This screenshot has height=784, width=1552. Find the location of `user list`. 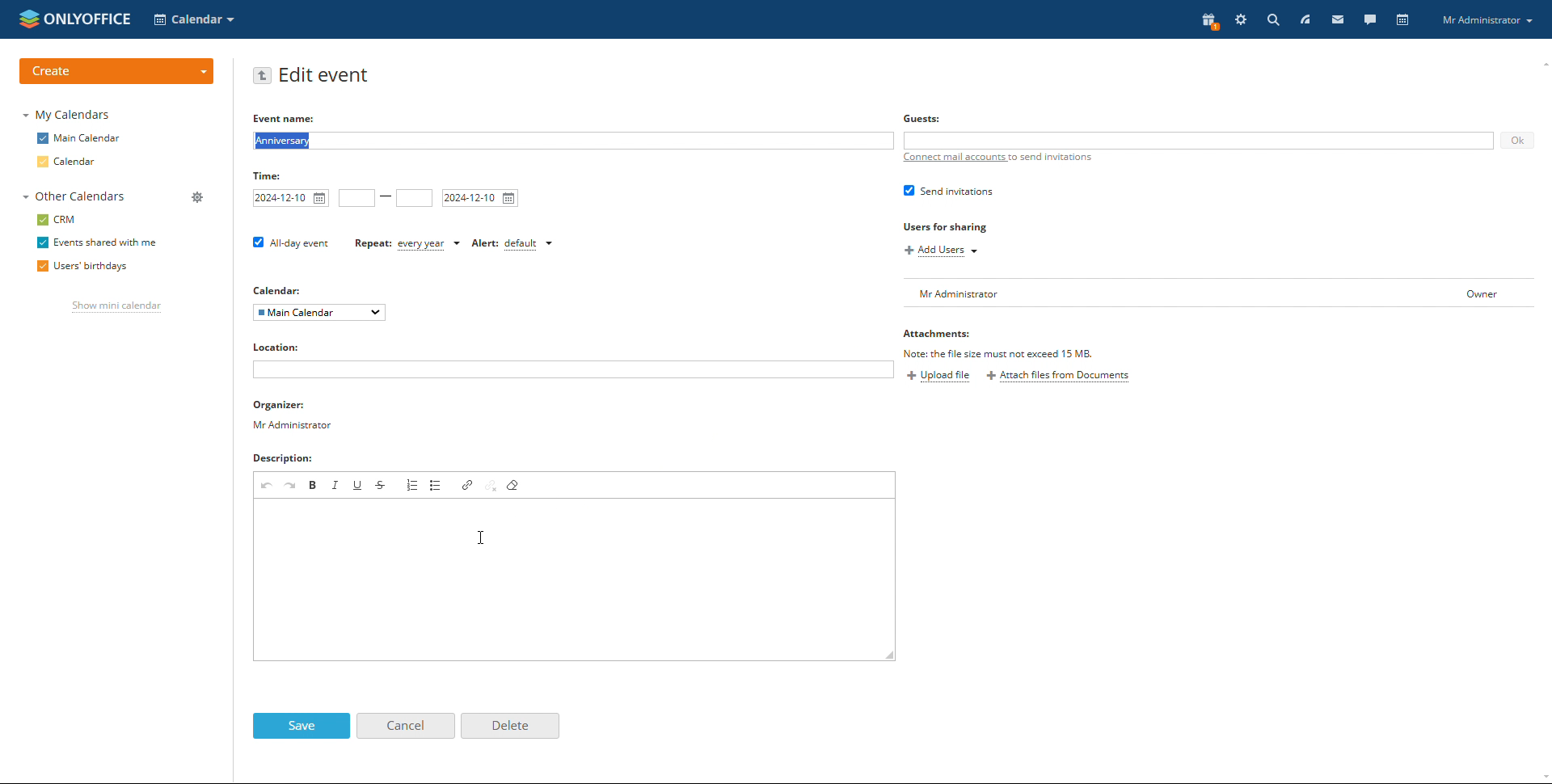

user list is located at coordinates (1219, 293).